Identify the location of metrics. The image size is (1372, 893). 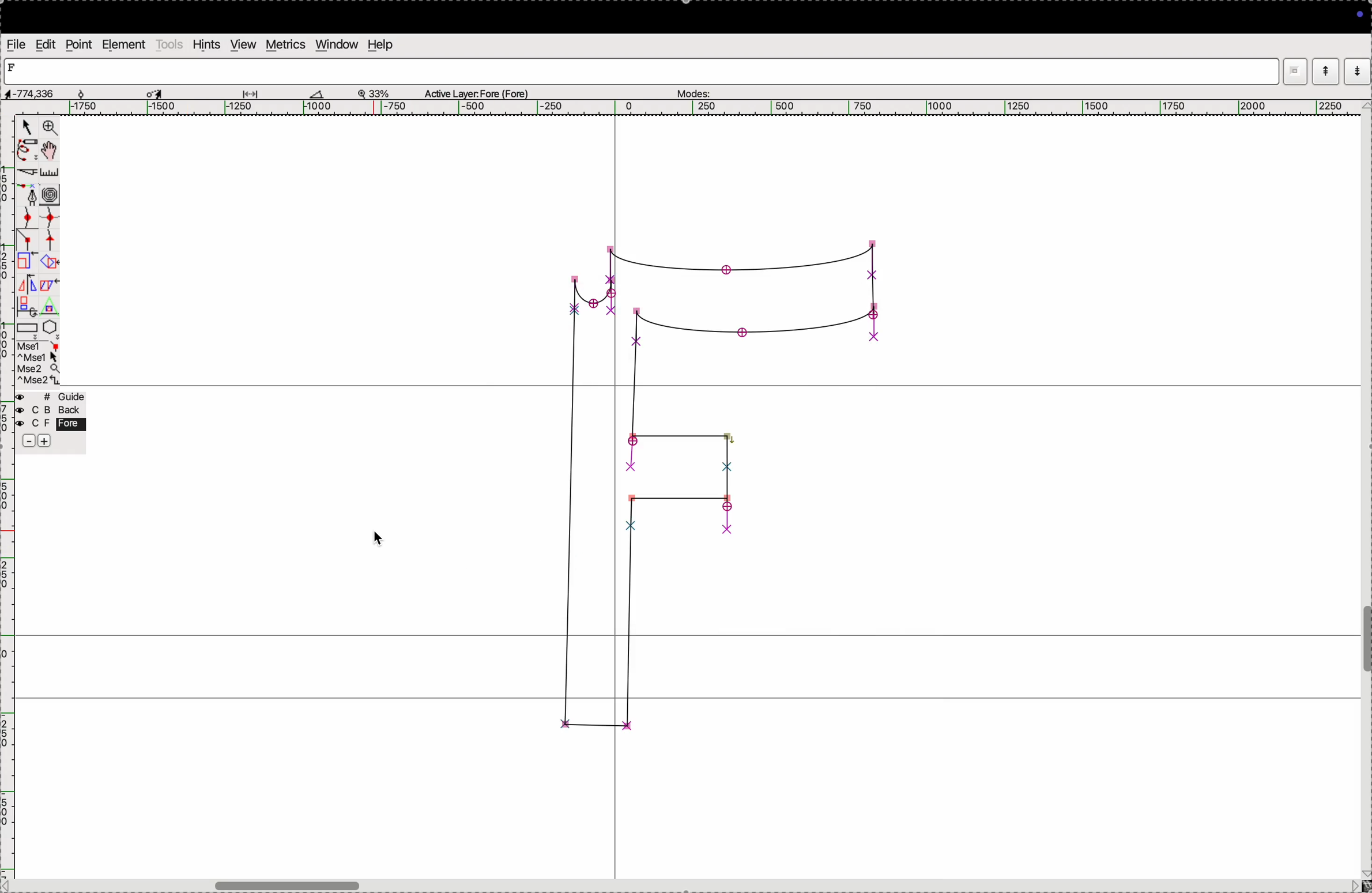
(287, 44).